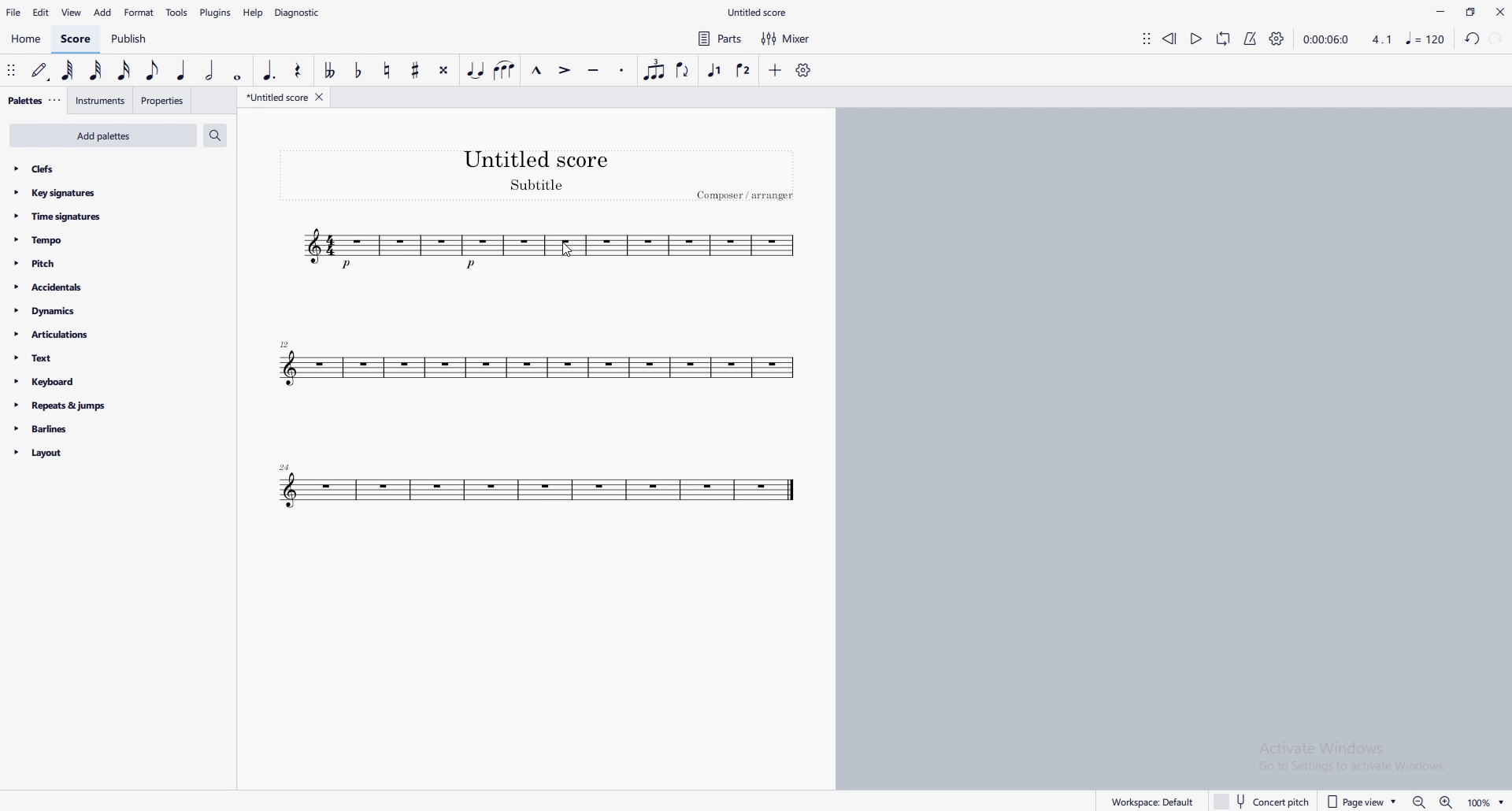 The image size is (1512, 811). I want to click on properties, so click(163, 101).